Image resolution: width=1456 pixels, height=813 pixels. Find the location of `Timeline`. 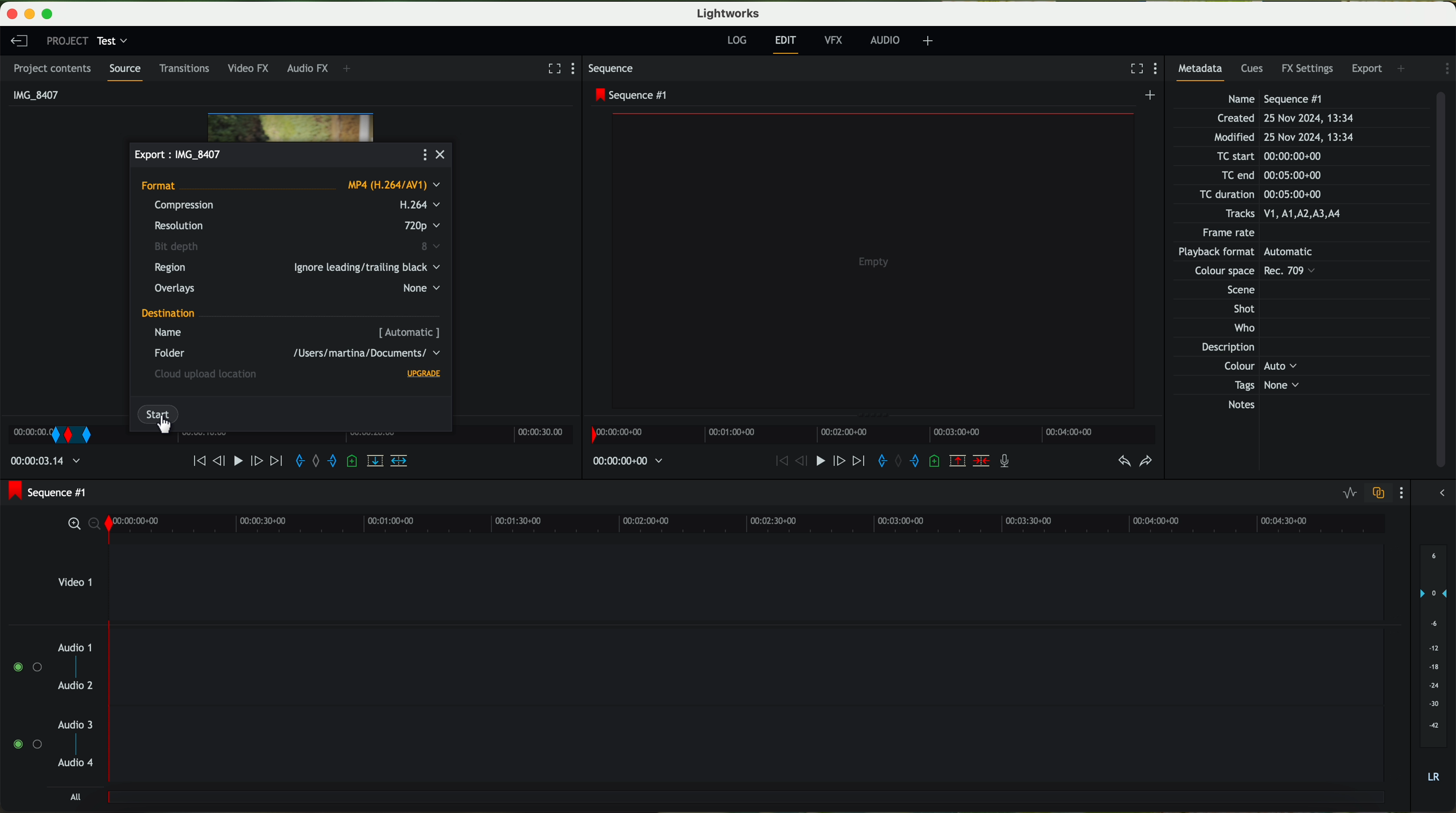

Timeline is located at coordinates (349, 436).